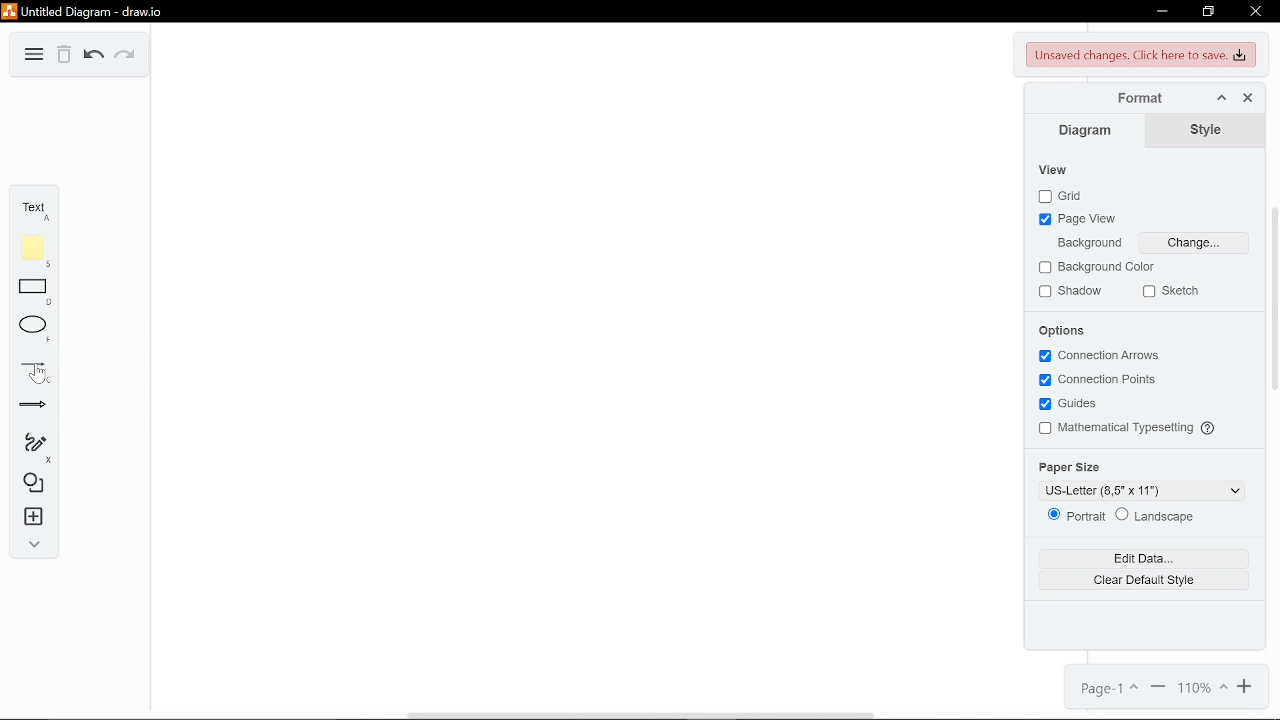 The width and height of the screenshot is (1280, 720). I want to click on Untitled Diagram-draw.io, so click(82, 11).